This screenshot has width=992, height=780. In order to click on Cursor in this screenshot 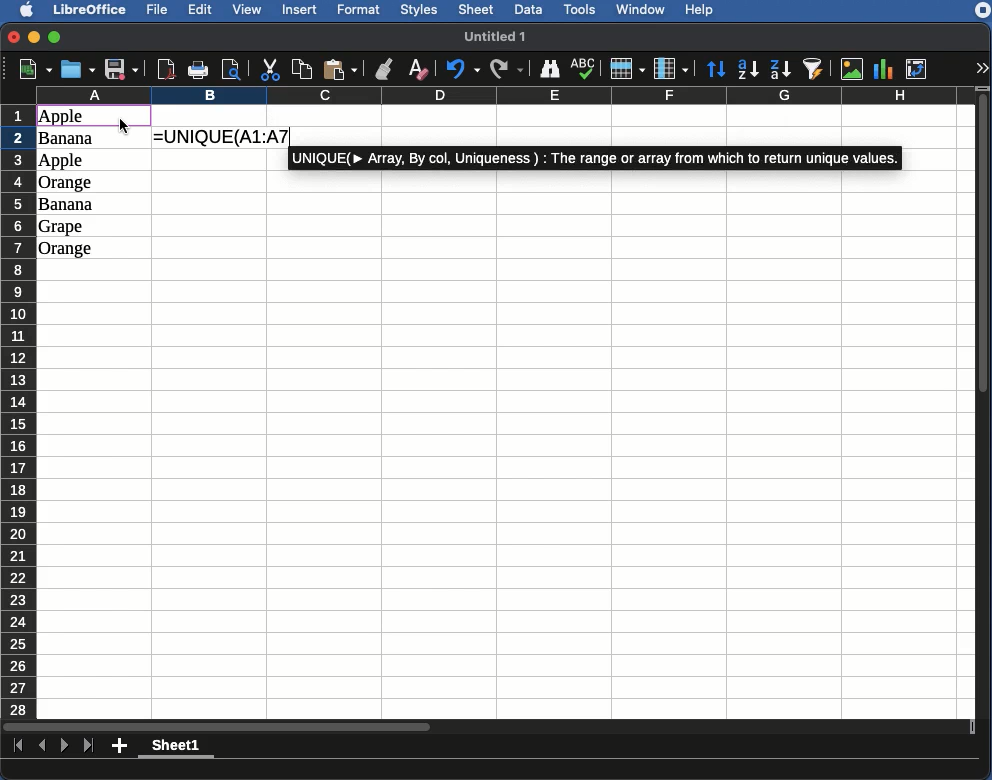, I will do `click(124, 126)`.